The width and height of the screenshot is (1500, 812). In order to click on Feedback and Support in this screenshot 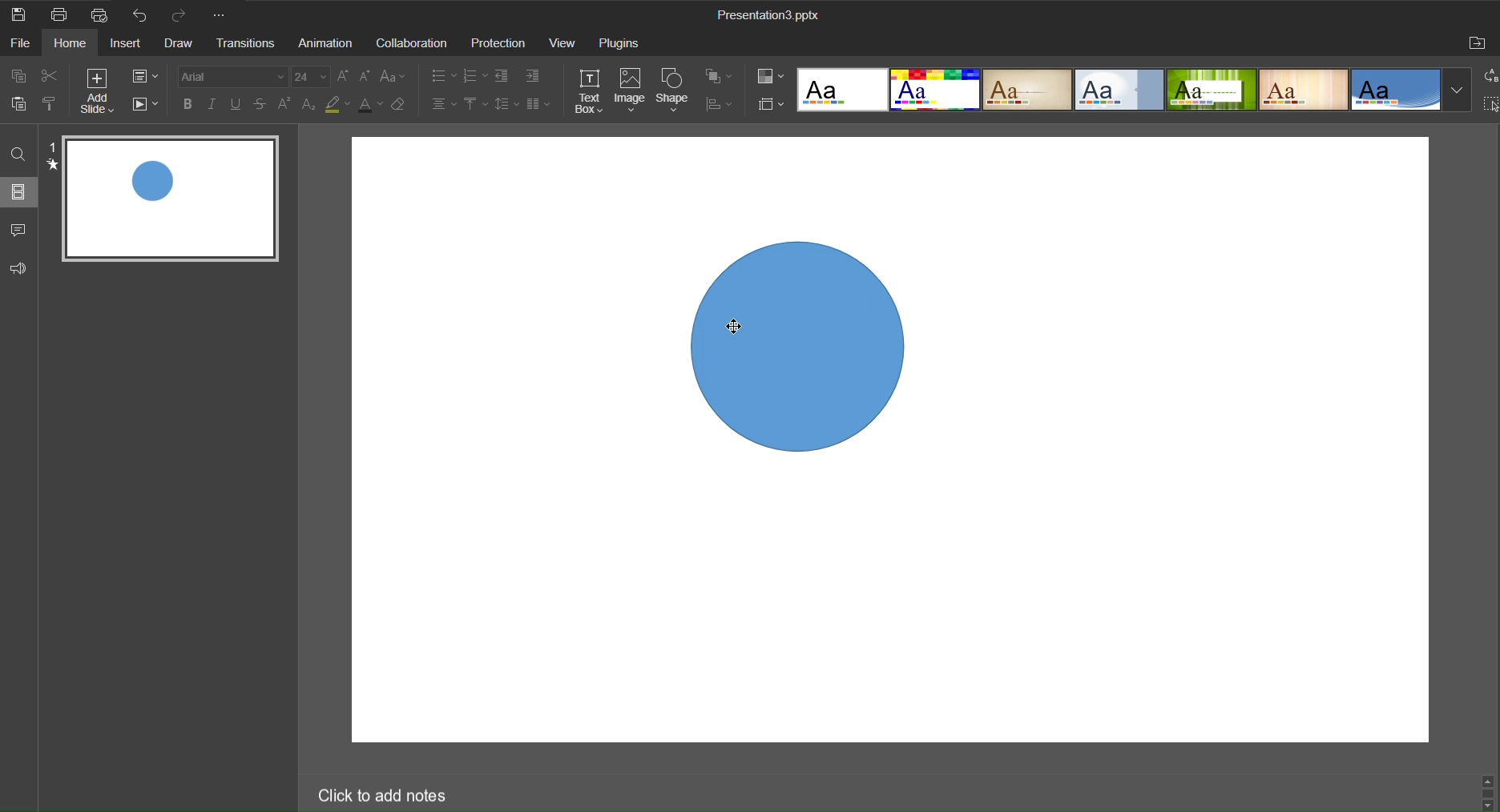, I will do `click(18, 265)`.